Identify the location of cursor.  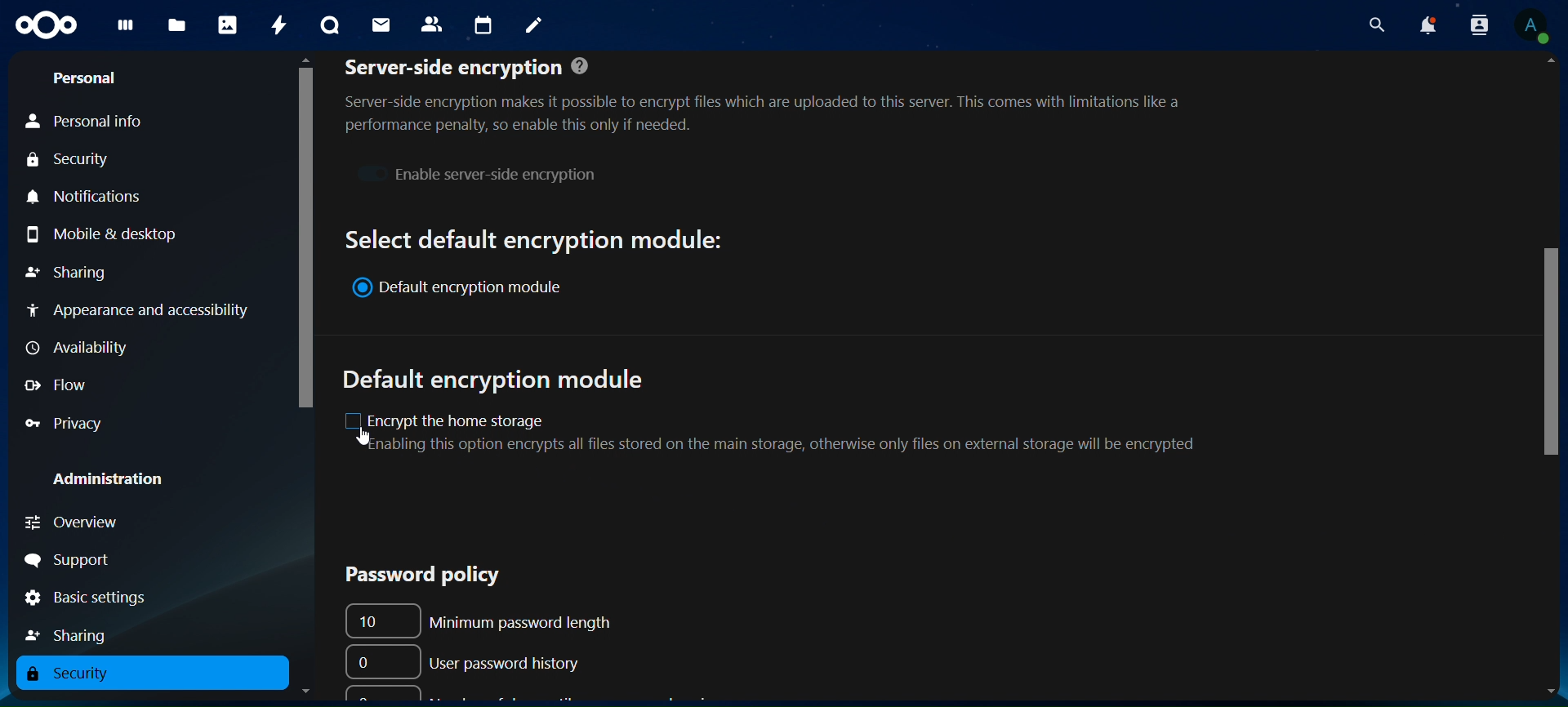
(363, 438).